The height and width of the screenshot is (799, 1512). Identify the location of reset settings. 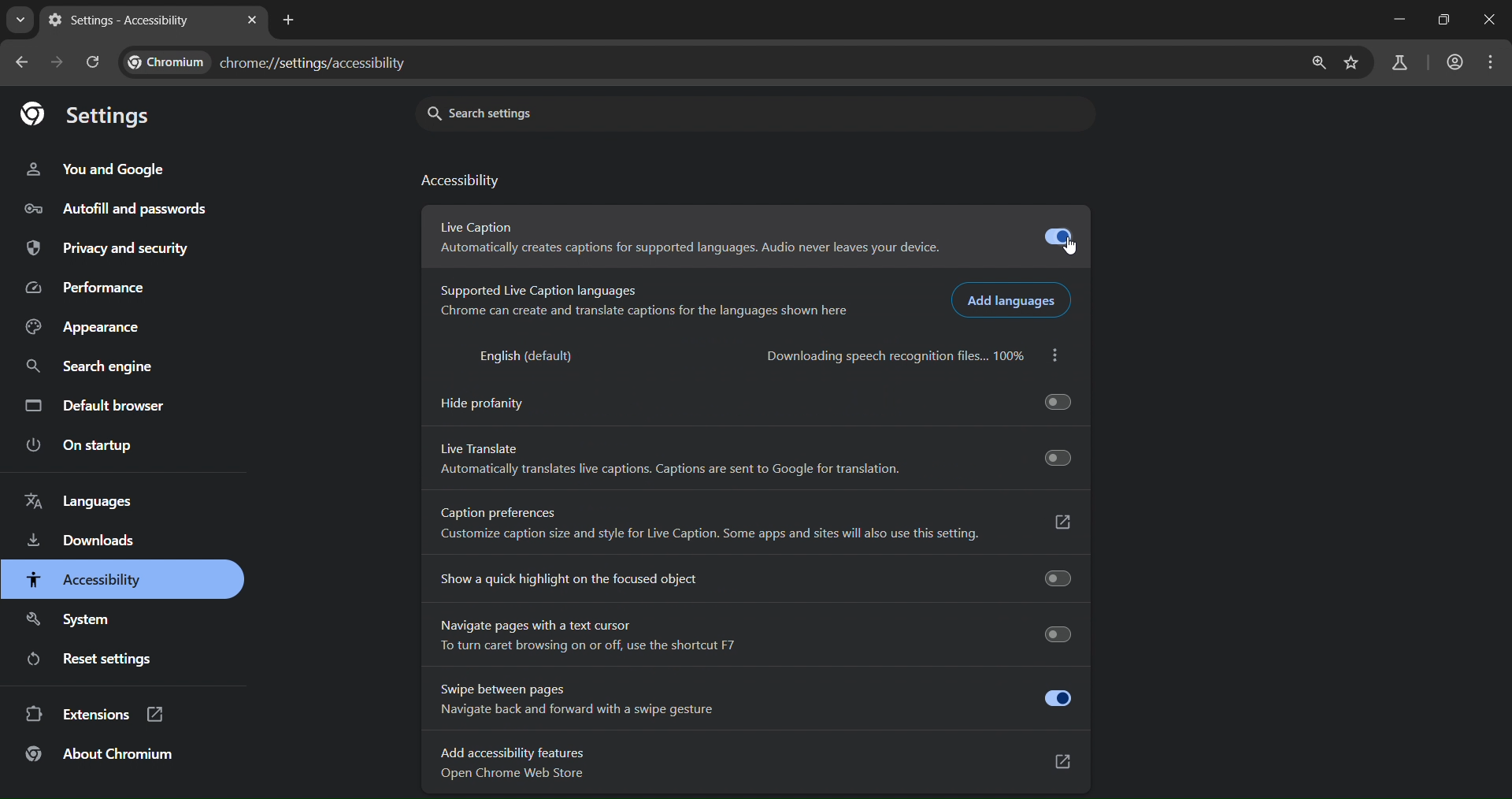
(110, 660).